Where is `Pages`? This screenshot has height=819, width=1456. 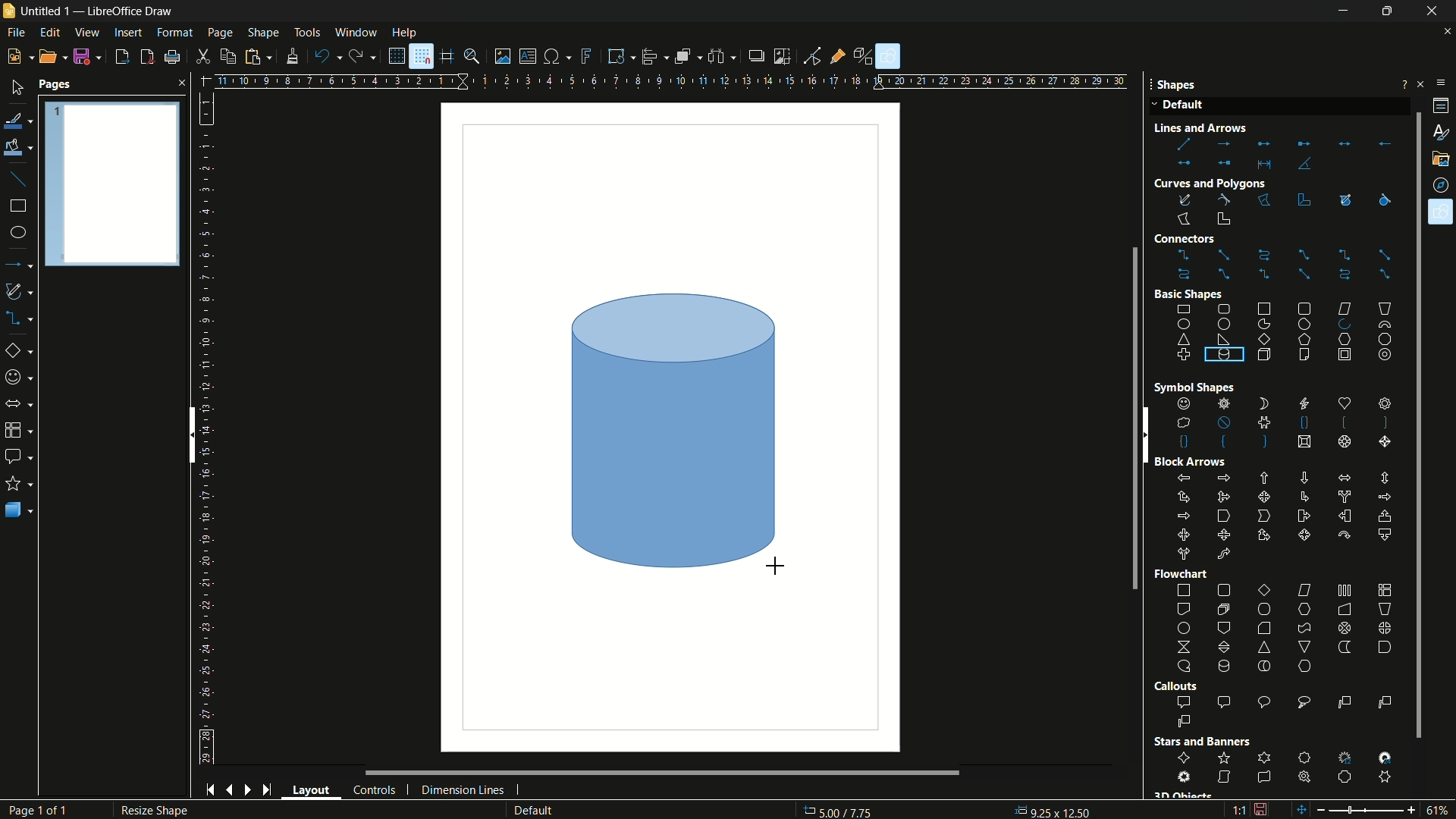
Pages is located at coordinates (112, 182).